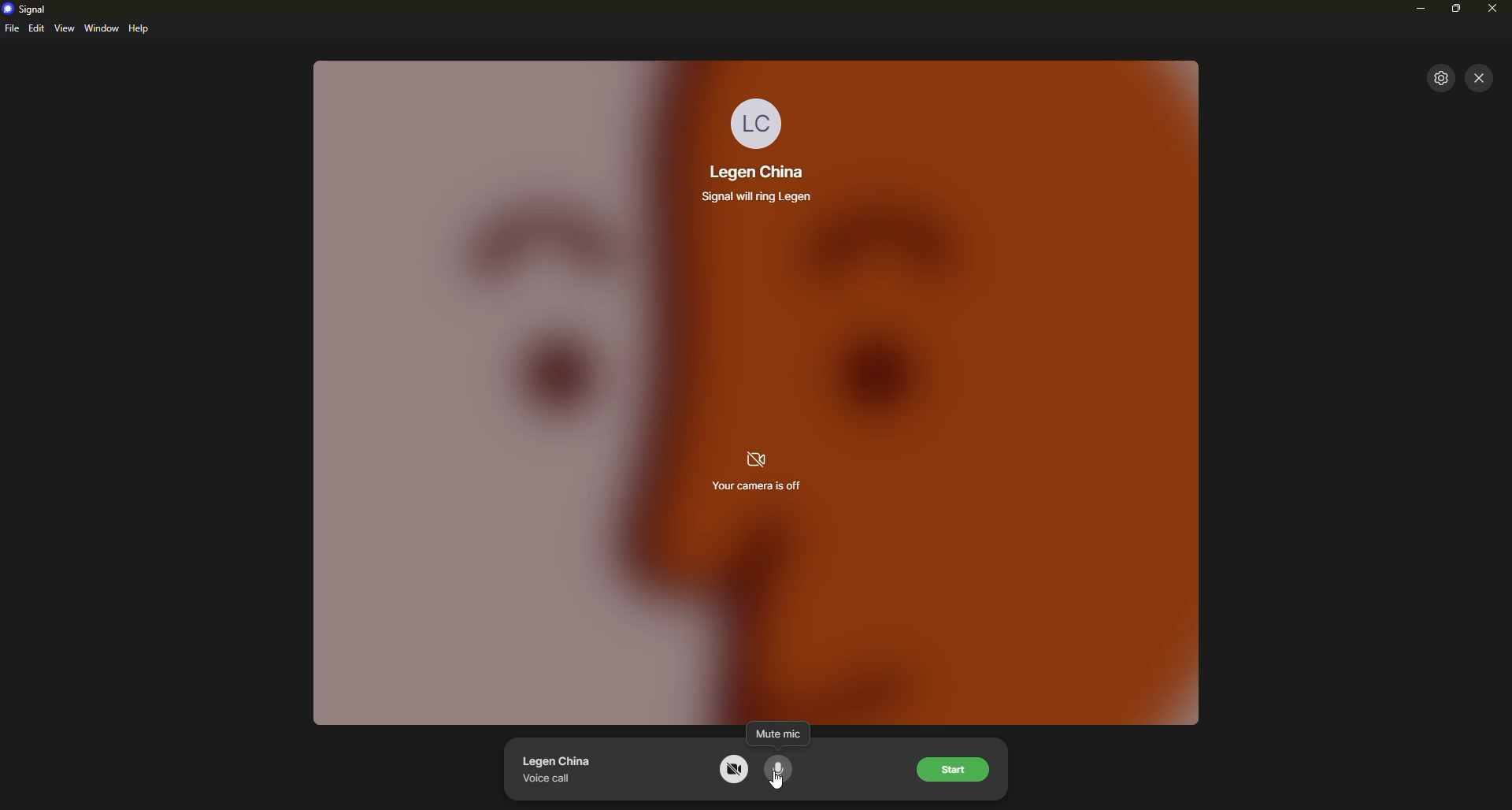 This screenshot has height=810, width=1512. What do you see at coordinates (758, 121) in the screenshot?
I see `profile pic` at bounding box center [758, 121].